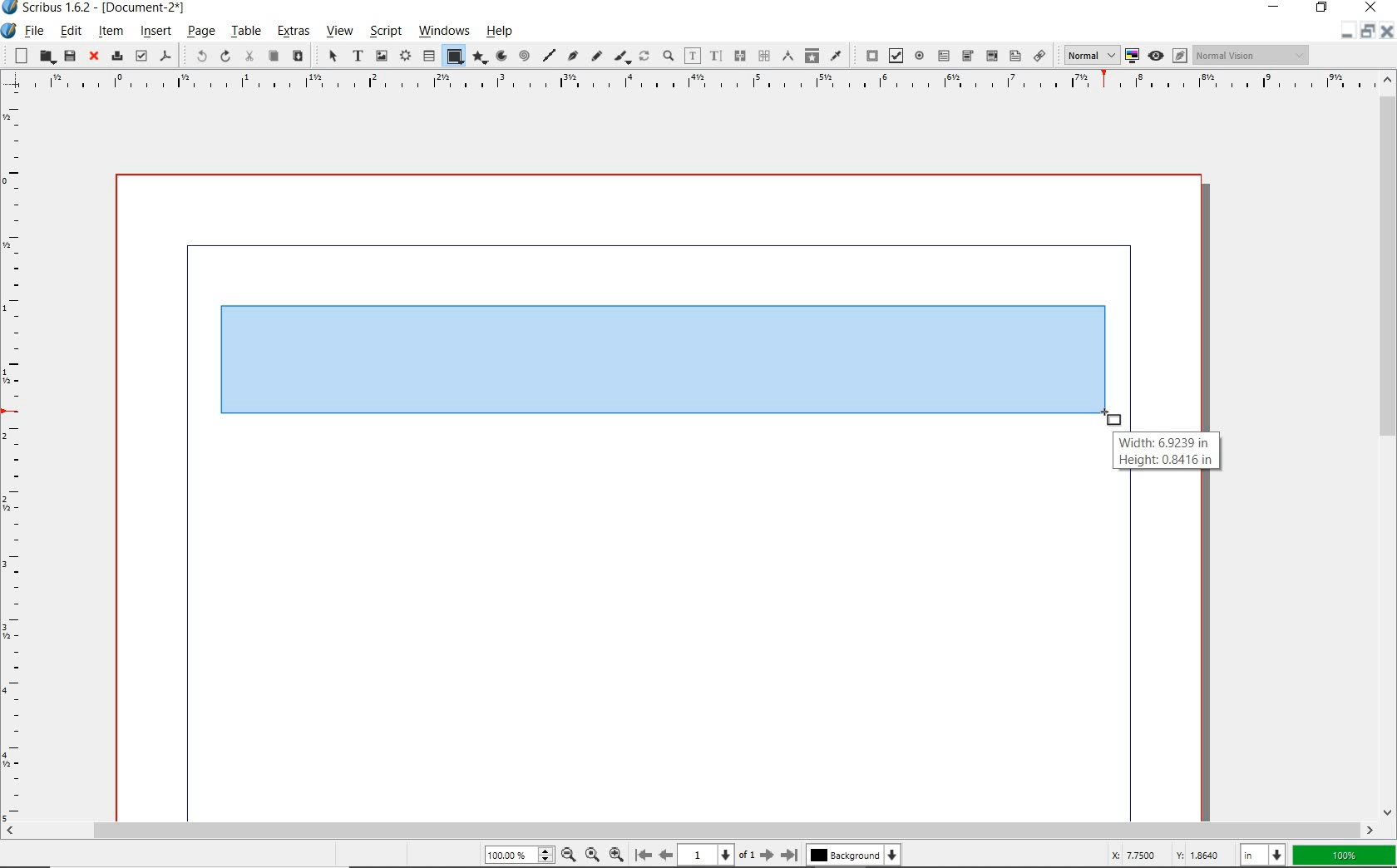 The height and width of the screenshot is (868, 1397). I want to click on cut, so click(249, 57).